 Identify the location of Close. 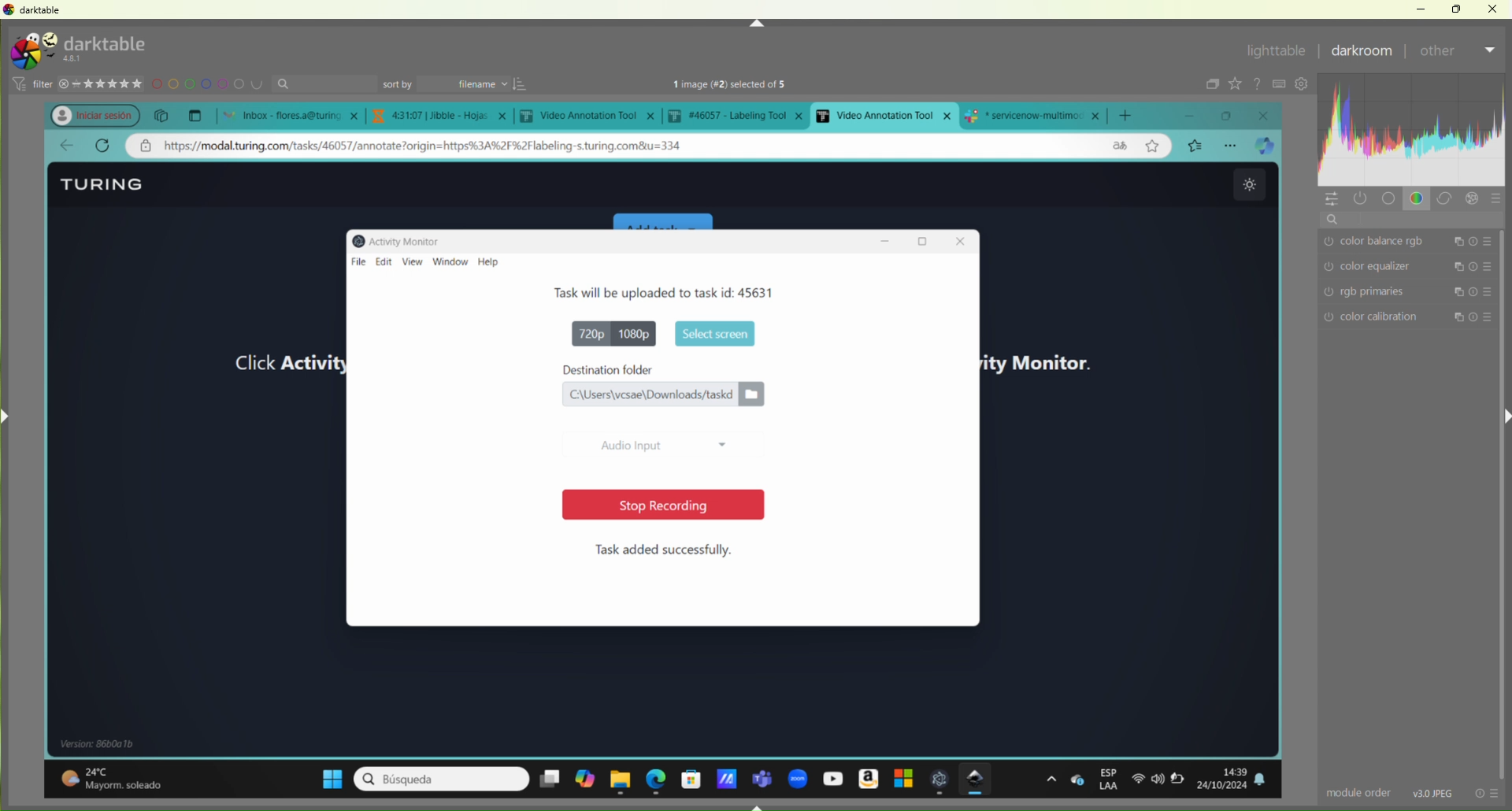
(1492, 9).